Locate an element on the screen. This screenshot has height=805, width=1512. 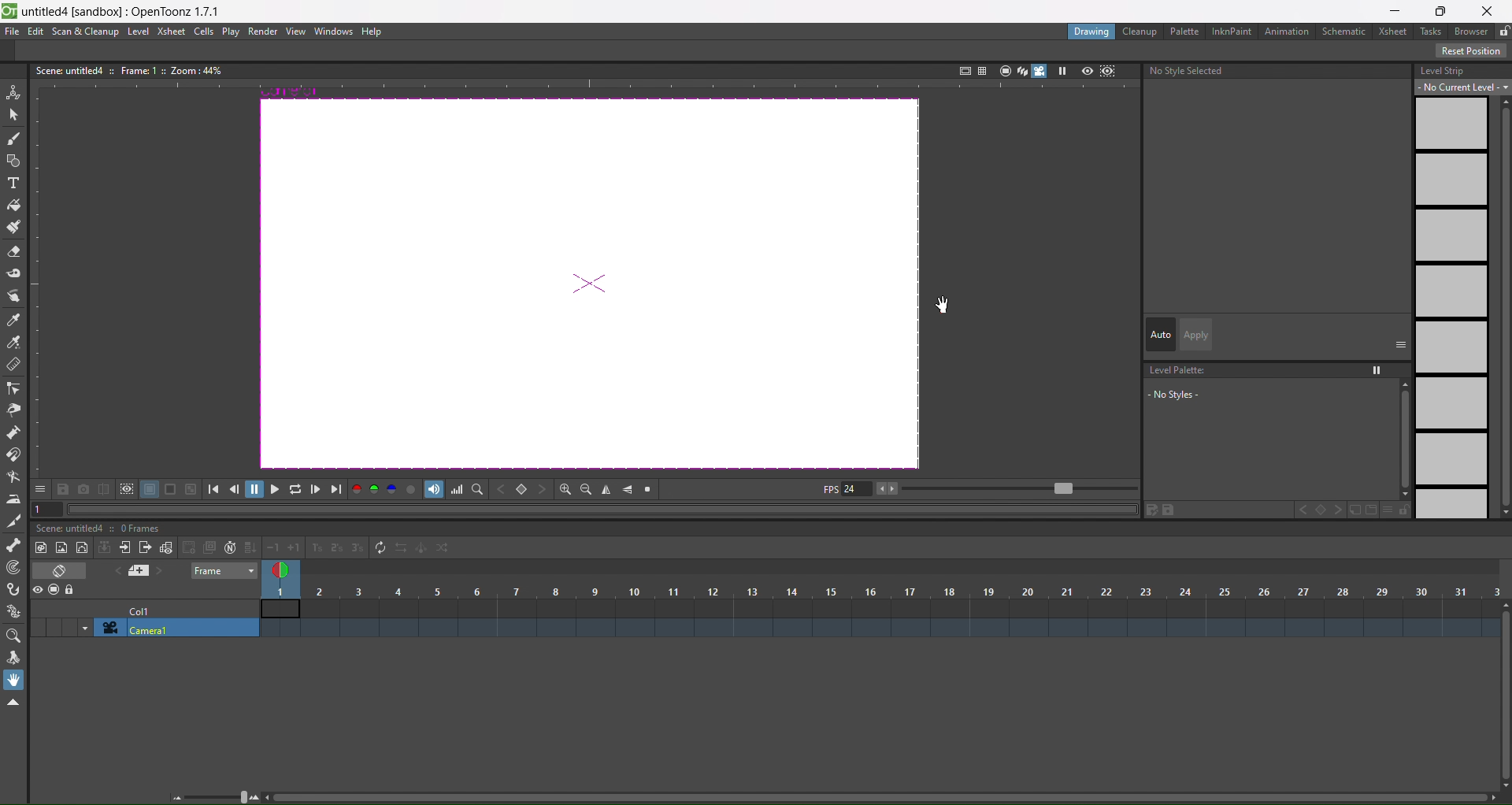
tasks is located at coordinates (1433, 31).